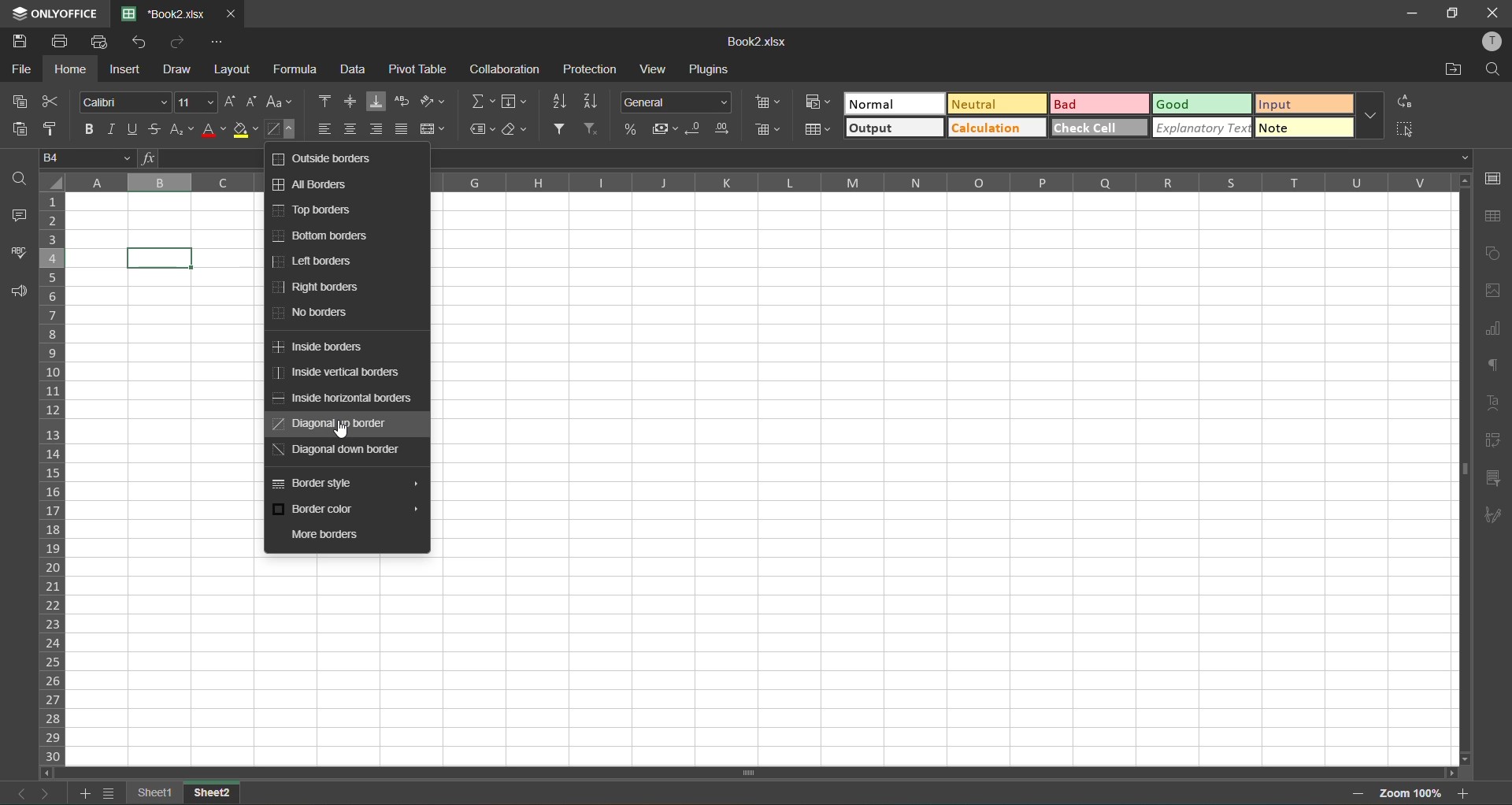 Image resolution: width=1512 pixels, height=805 pixels. What do you see at coordinates (61, 43) in the screenshot?
I see `print` at bounding box center [61, 43].